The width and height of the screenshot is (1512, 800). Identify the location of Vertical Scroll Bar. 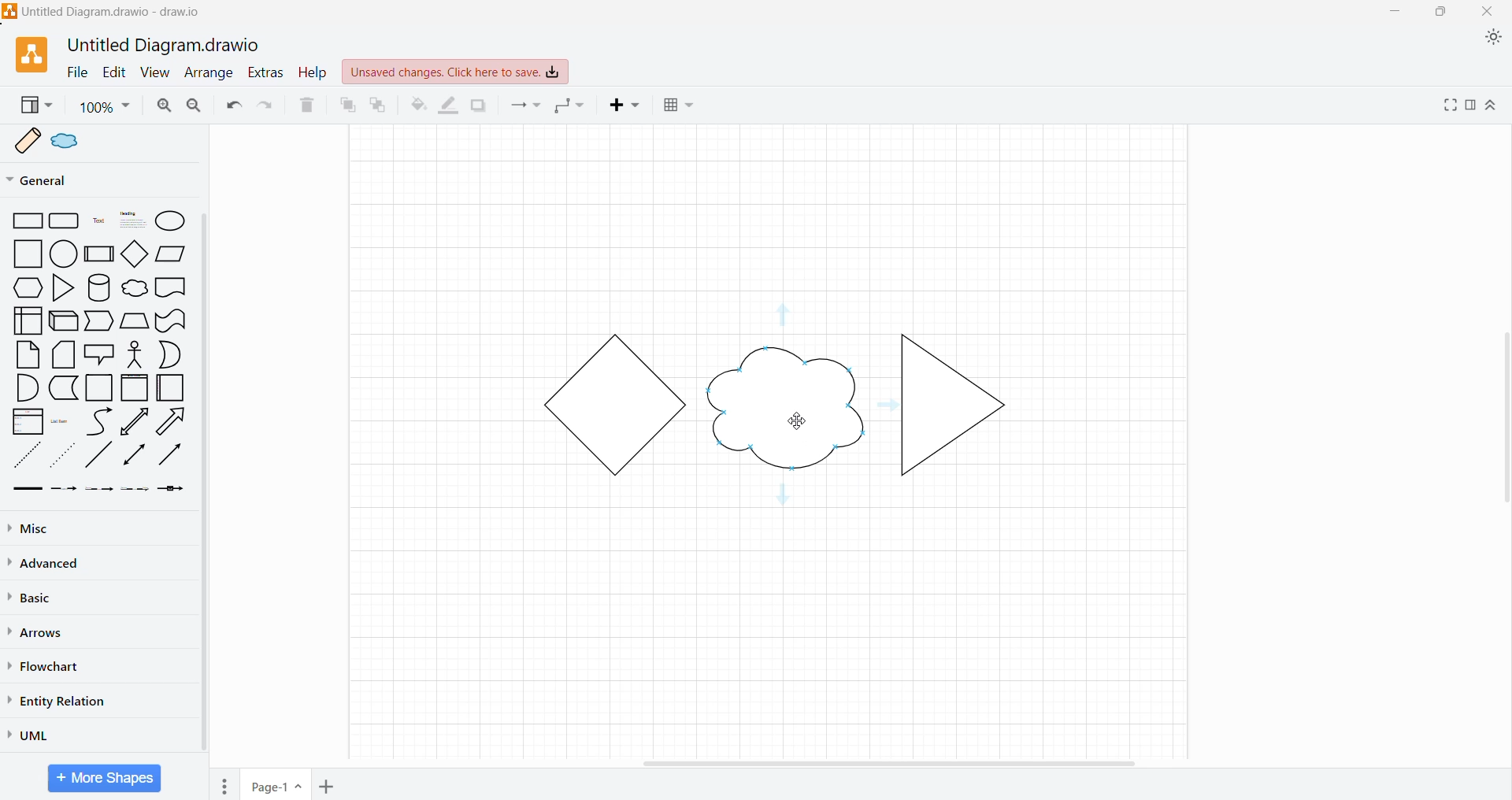
(203, 483).